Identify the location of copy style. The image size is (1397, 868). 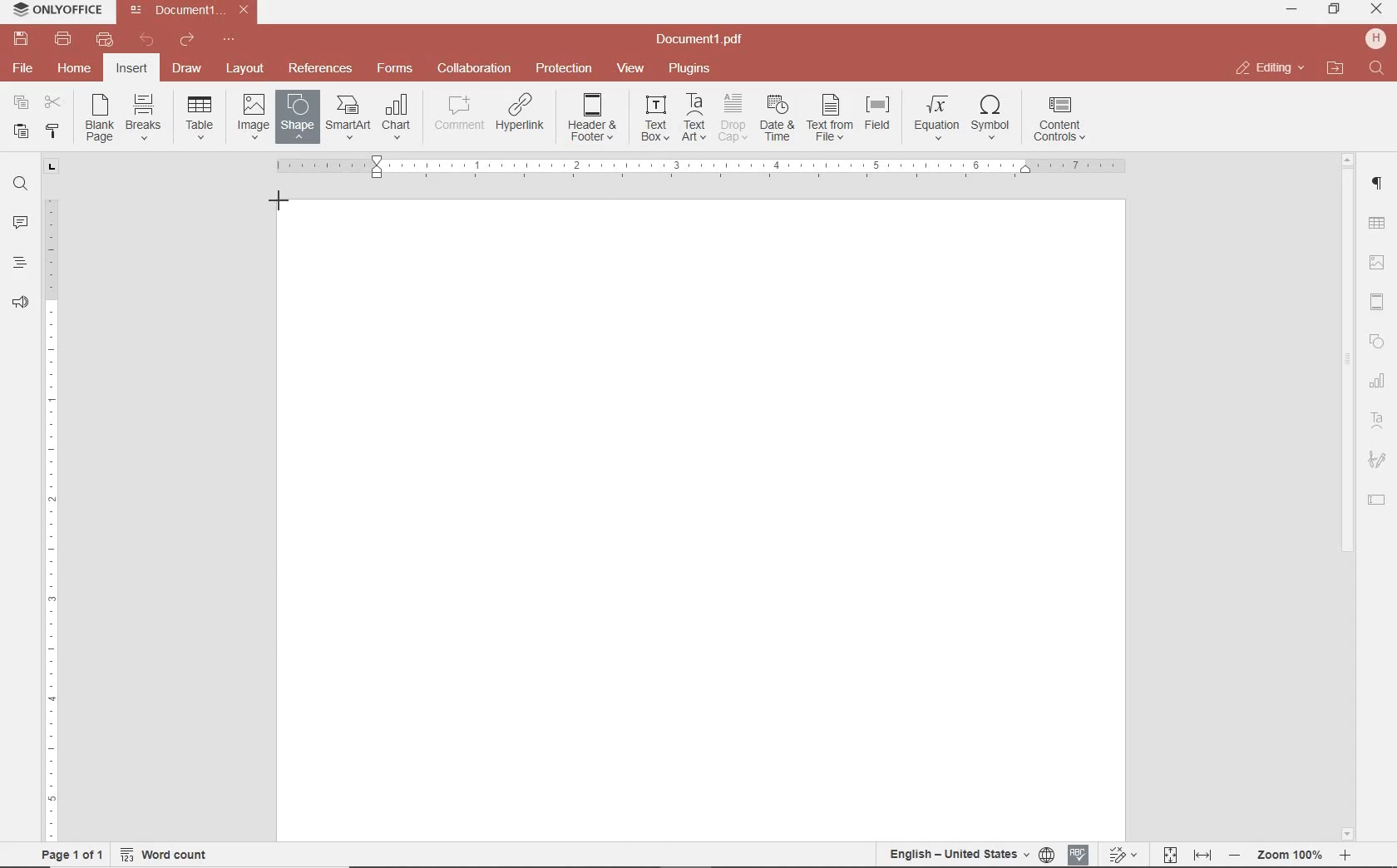
(51, 130).